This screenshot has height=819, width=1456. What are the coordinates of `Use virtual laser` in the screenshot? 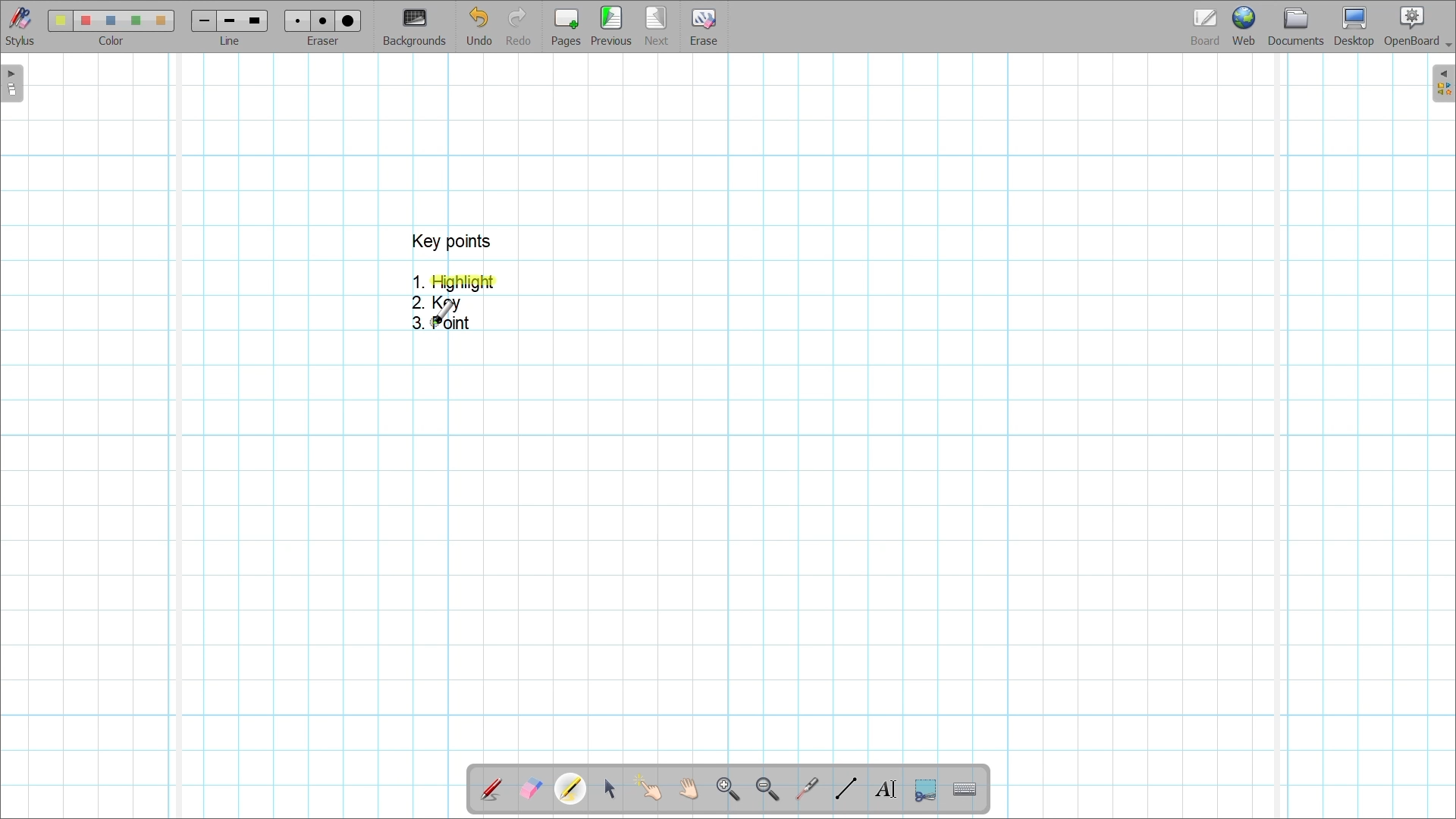 It's located at (806, 789).